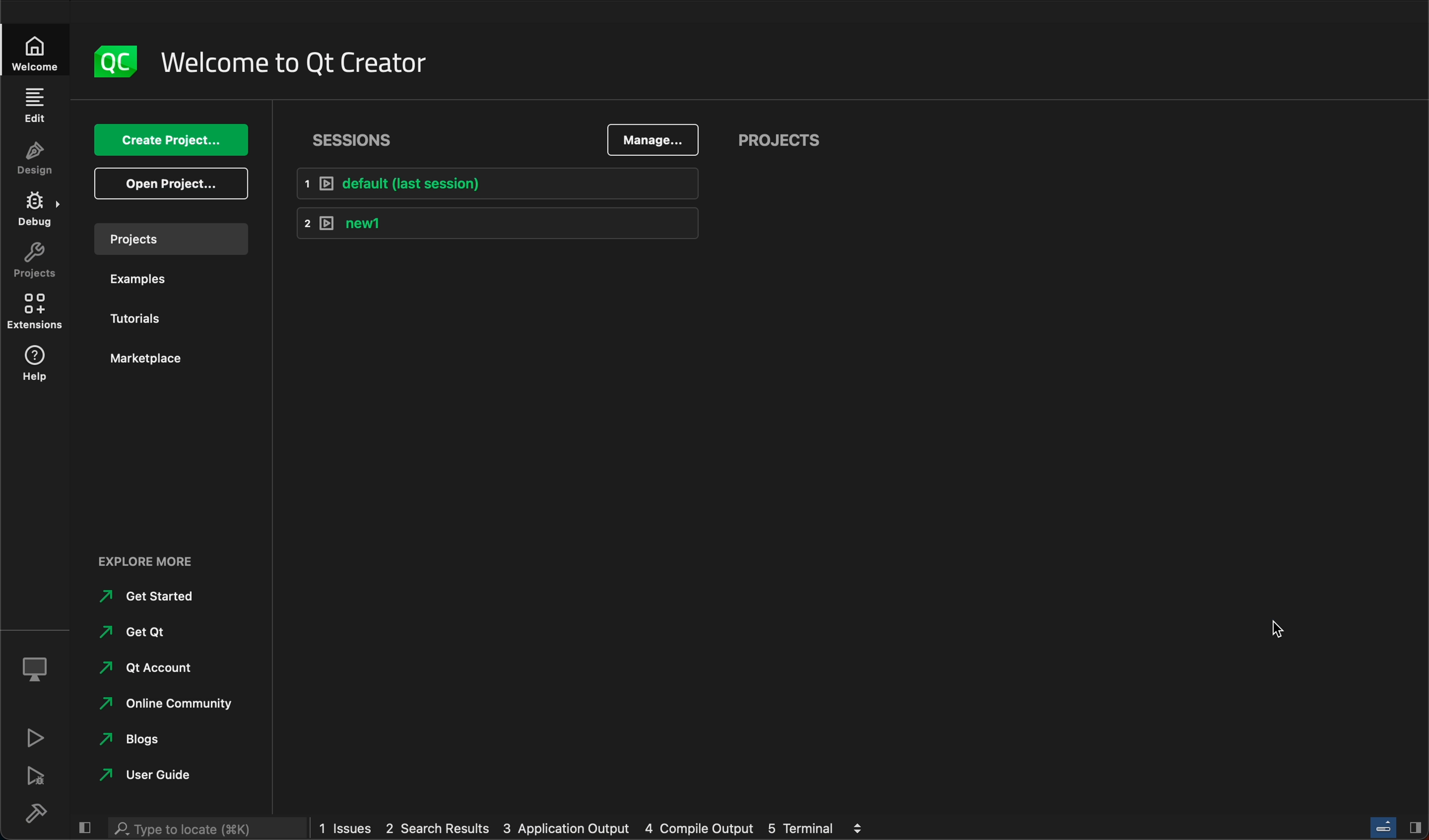  What do you see at coordinates (38, 736) in the screenshot?
I see `run` at bounding box center [38, 736].